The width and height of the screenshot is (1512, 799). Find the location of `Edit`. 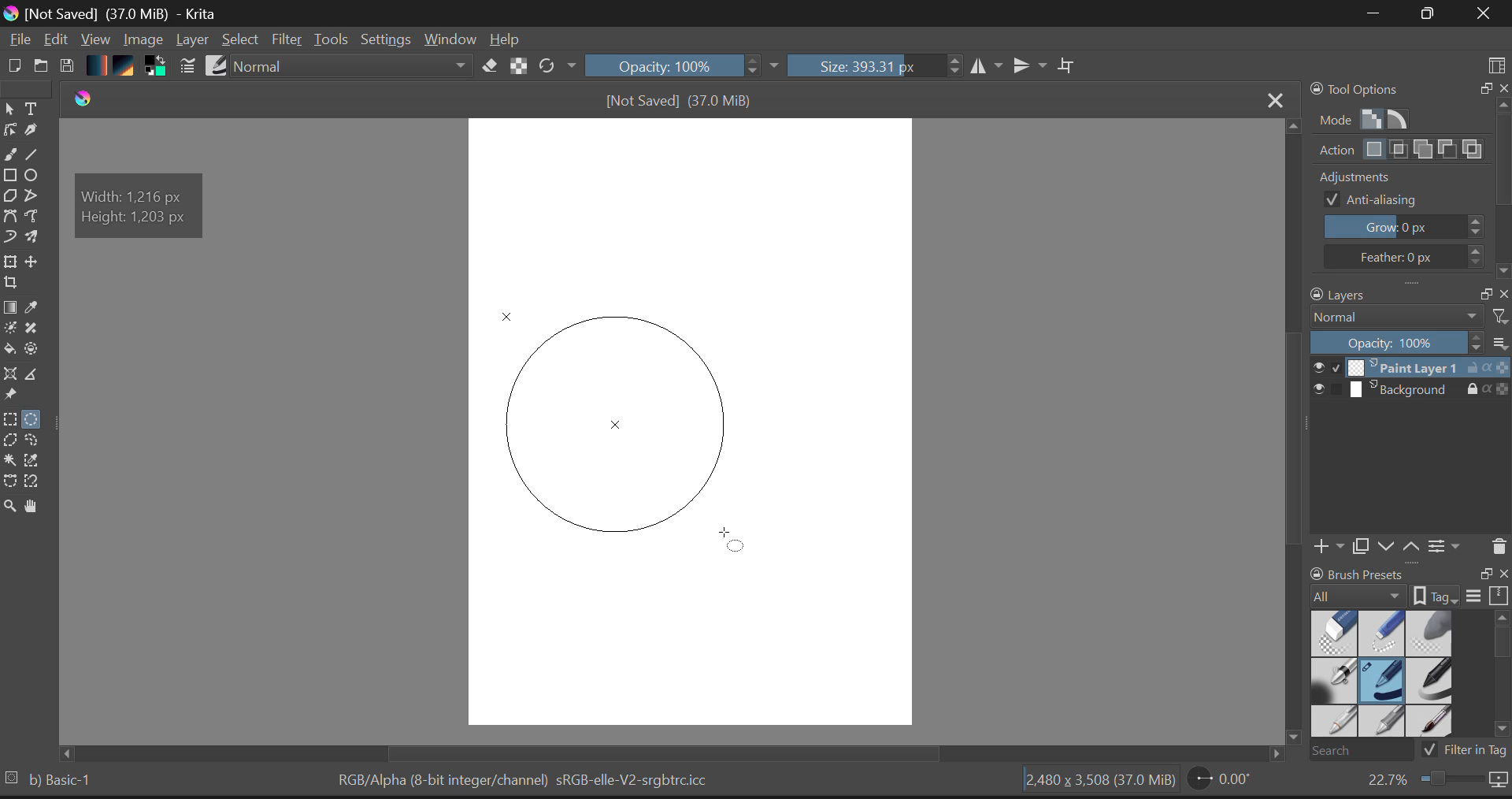

Edit is located at coordinates (57, 40).